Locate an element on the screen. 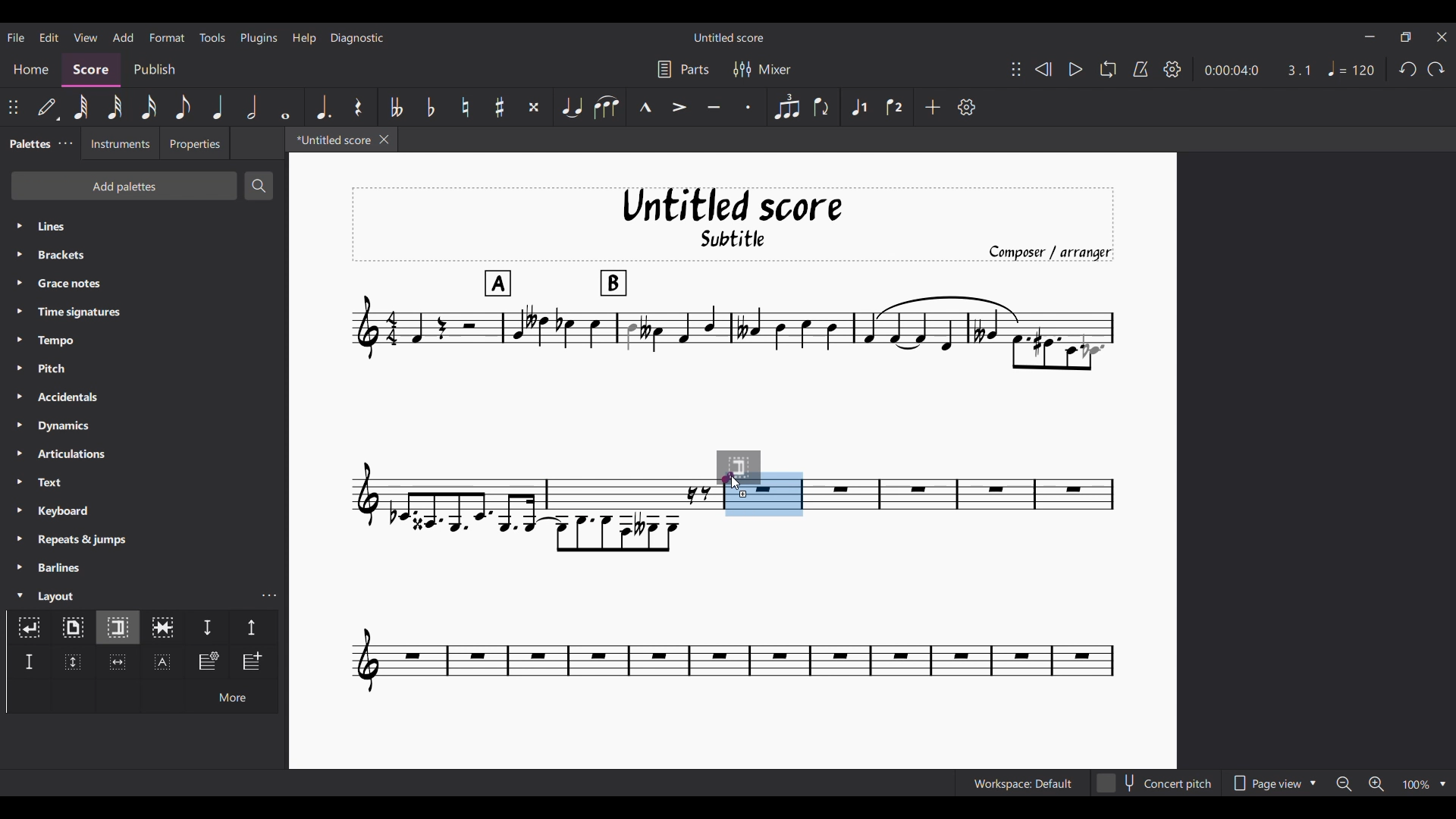  Redo is located at coordinates (1436, 69).